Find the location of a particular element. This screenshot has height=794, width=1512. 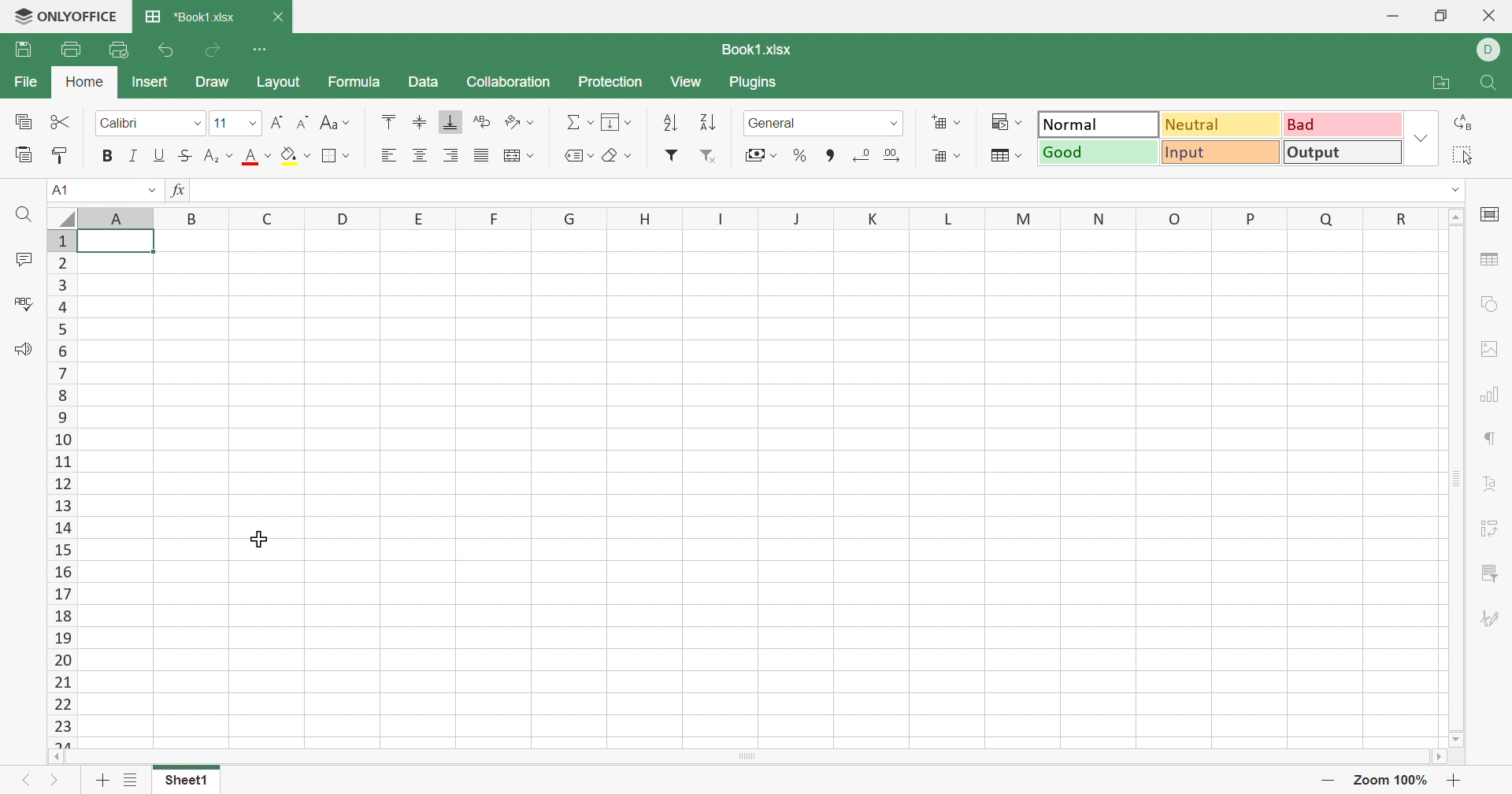

Drop Down is located at coordinates (533, 155).